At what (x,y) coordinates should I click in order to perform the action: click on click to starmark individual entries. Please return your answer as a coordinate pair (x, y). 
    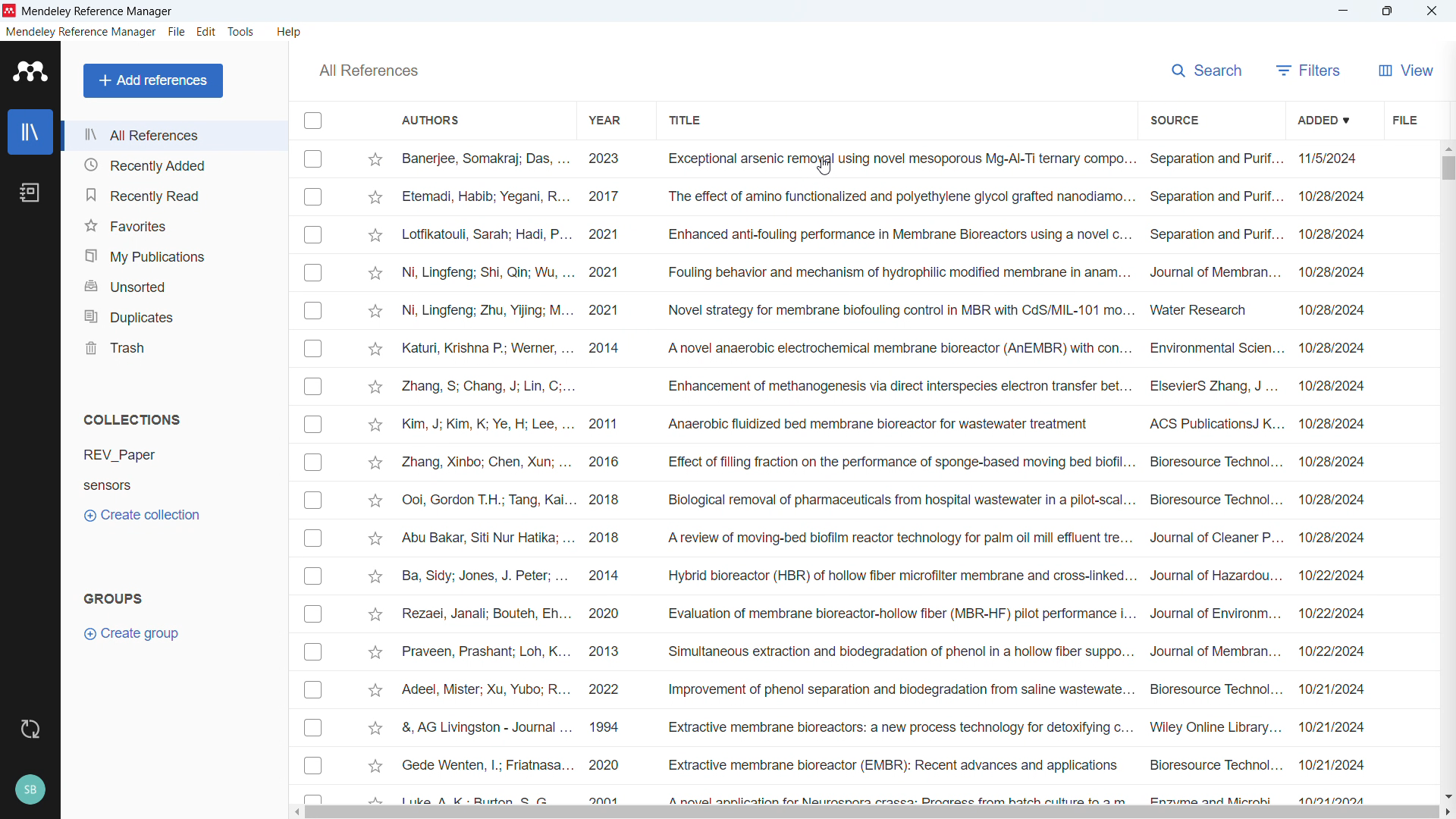
    Looking at the image, I should click on (374, 769).